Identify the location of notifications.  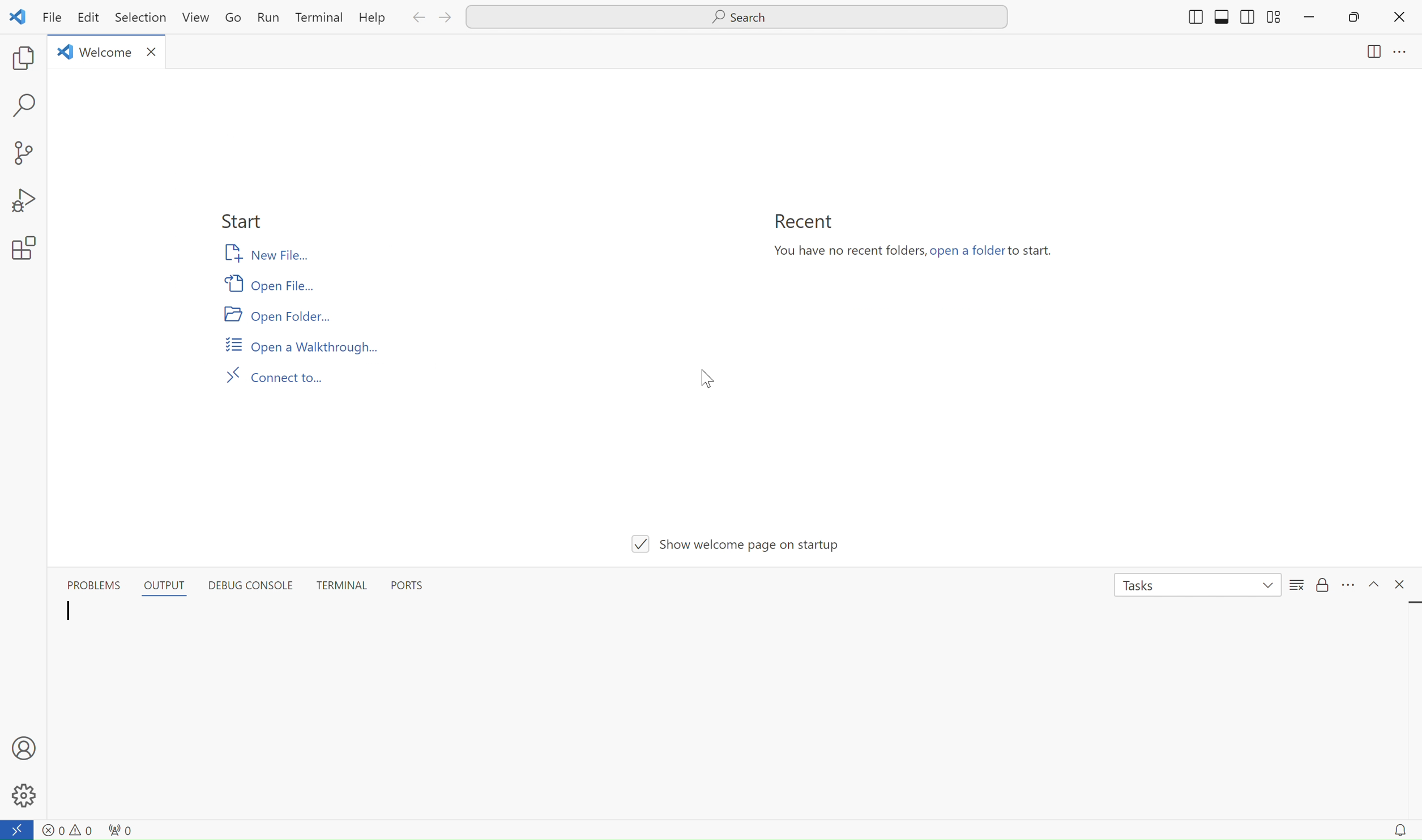
(1400, 830).